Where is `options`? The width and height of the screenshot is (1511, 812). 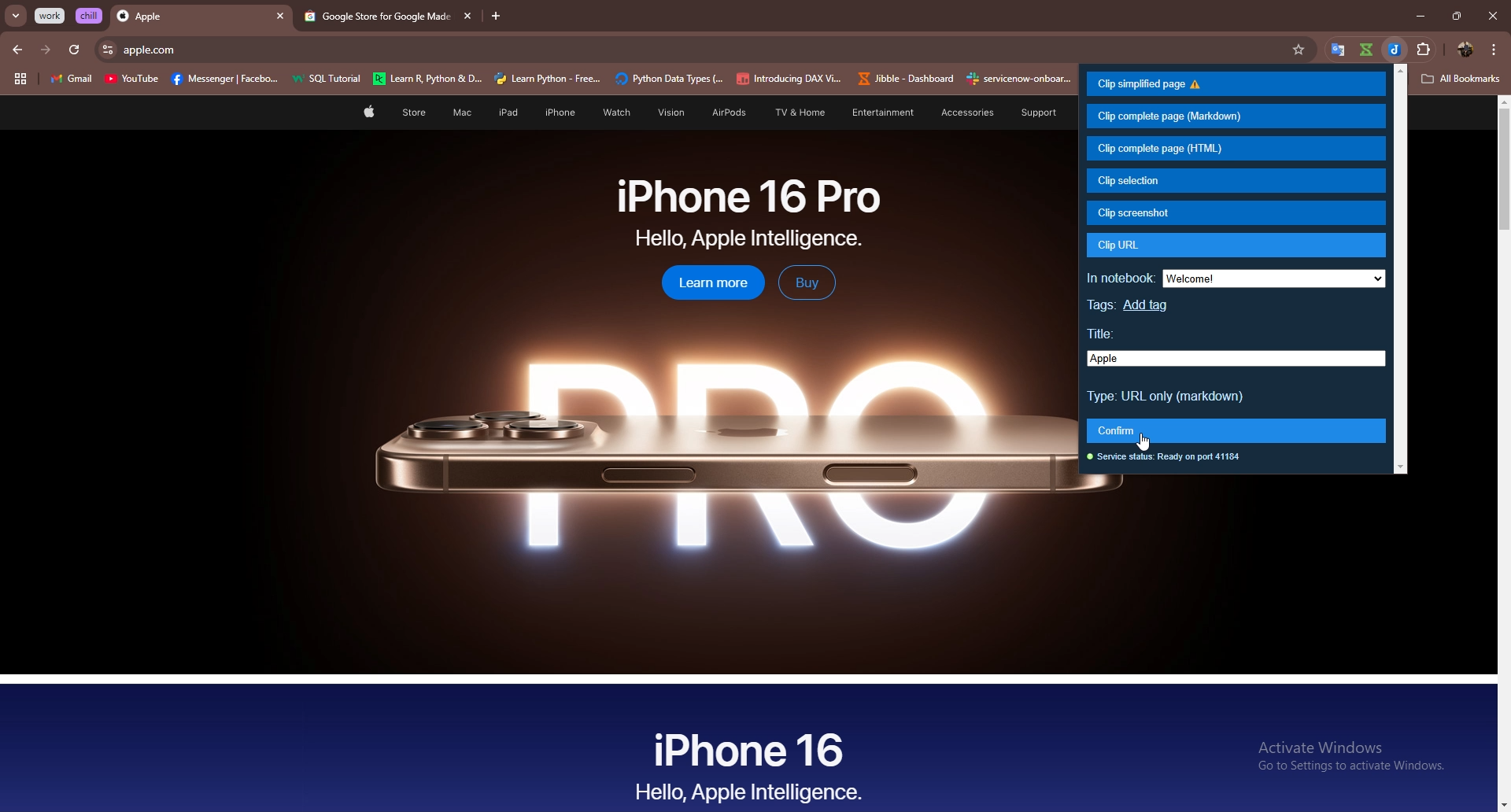 options is located at coordinates (1494, 49).